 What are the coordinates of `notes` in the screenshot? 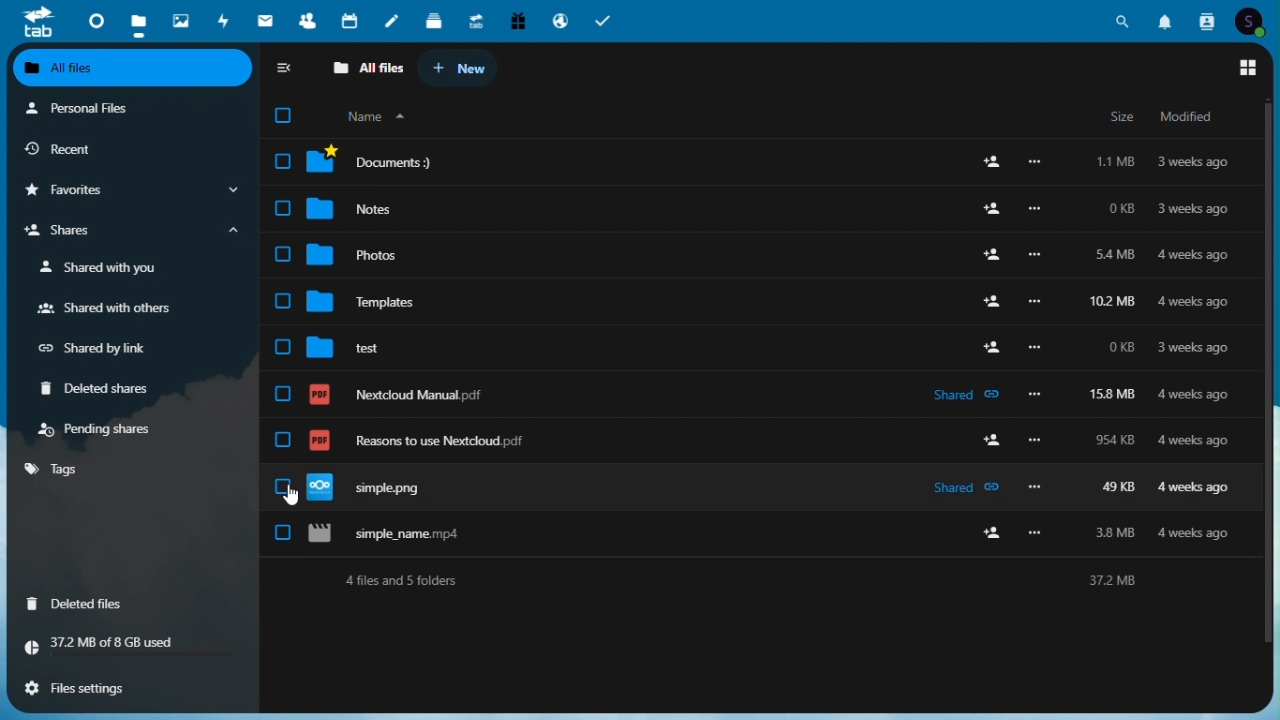 It's located at (395, 17).